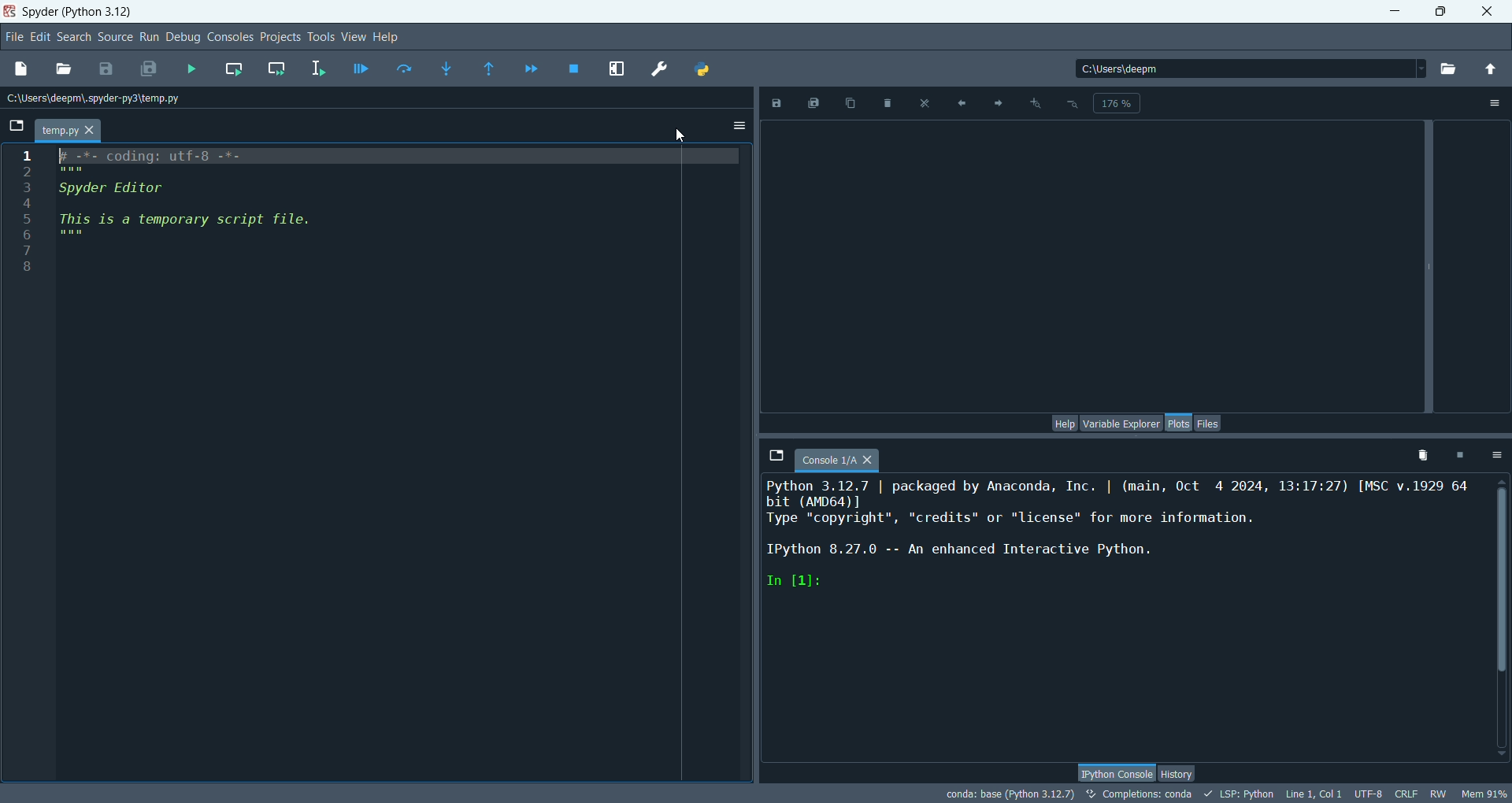 This screenshot has width=1512, height=803. What do you see at coordinates (1117, 773) in the screenshot?
I see `IPython console` at bounding box center [1117, 773].